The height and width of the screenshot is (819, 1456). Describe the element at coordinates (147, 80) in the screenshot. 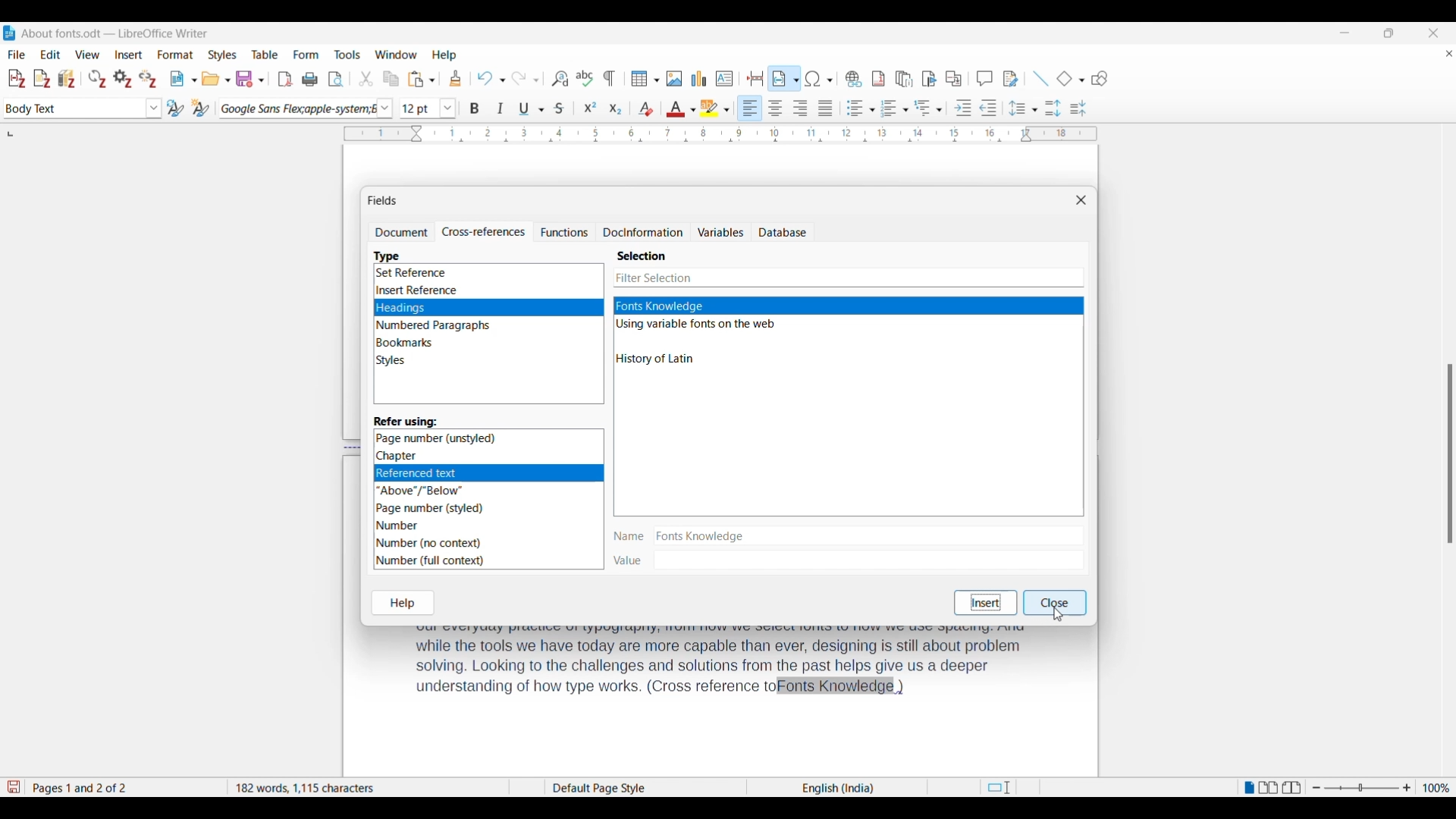

I see `Unlink citations` at that location.